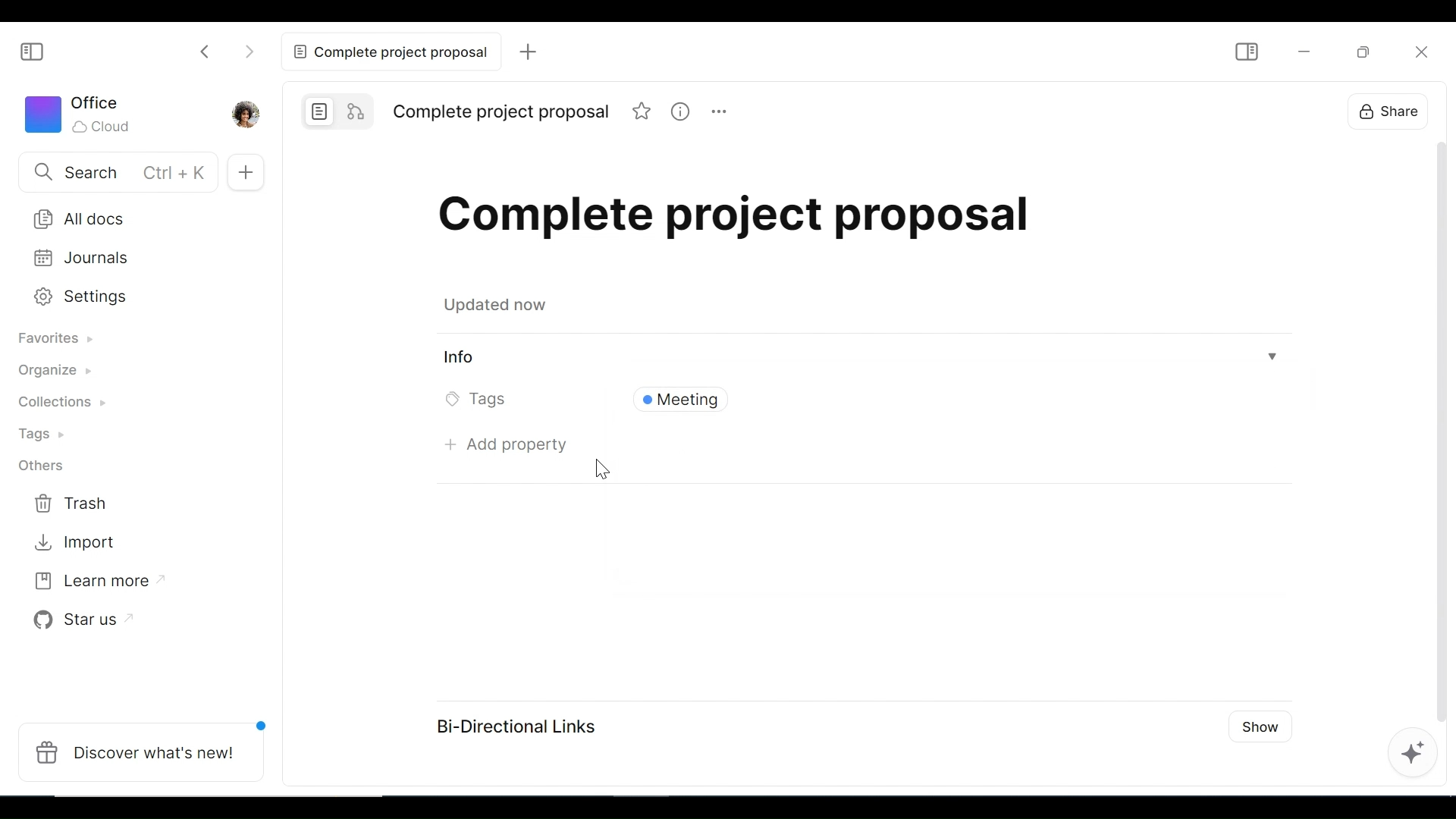  What do you see at coordinates (509, 723) in the screenshot?
I see `Bi-Directional Links` at bounding box center [509, 723].